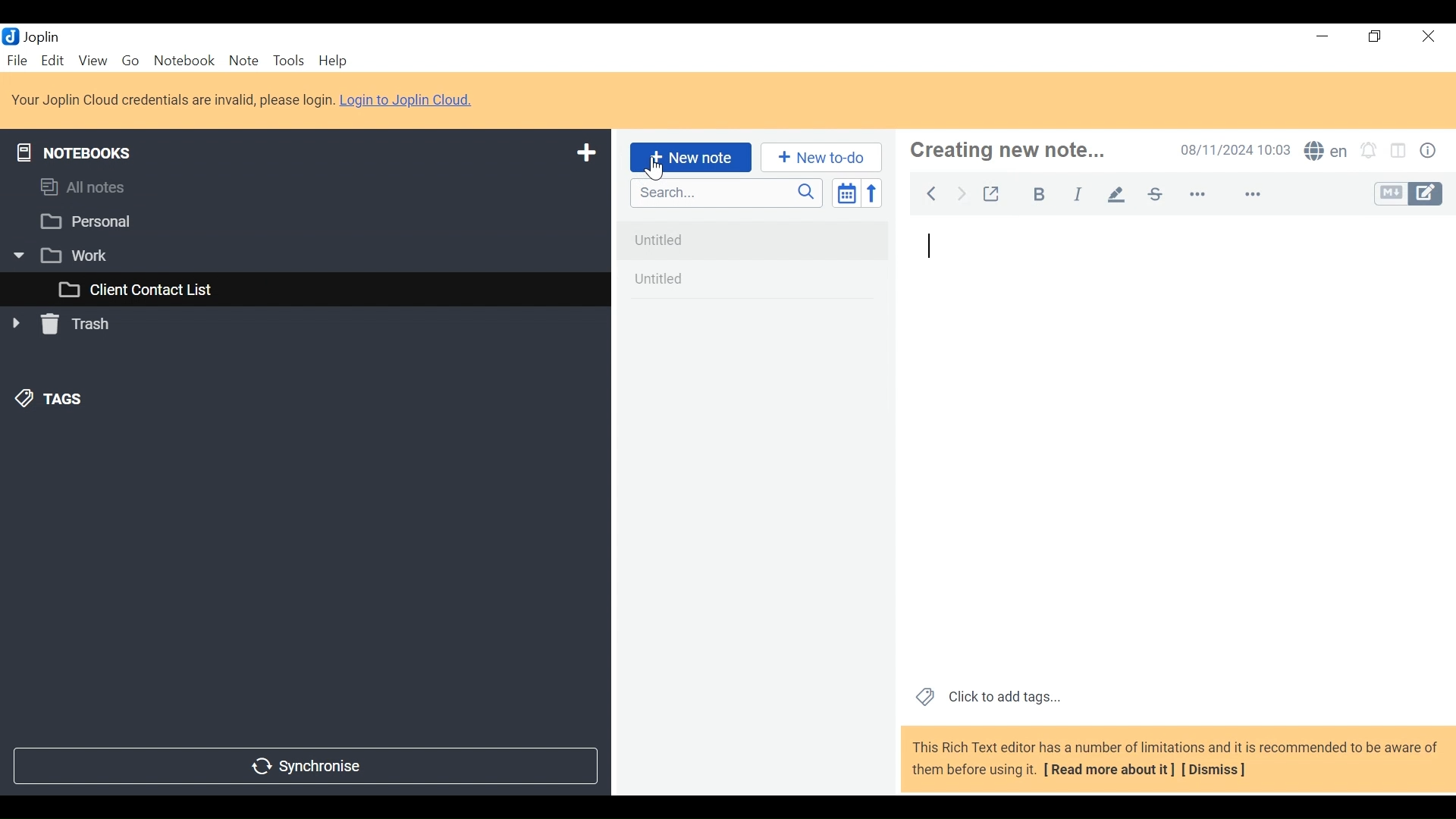  I want to click on Synchronise, so click(306, 767).